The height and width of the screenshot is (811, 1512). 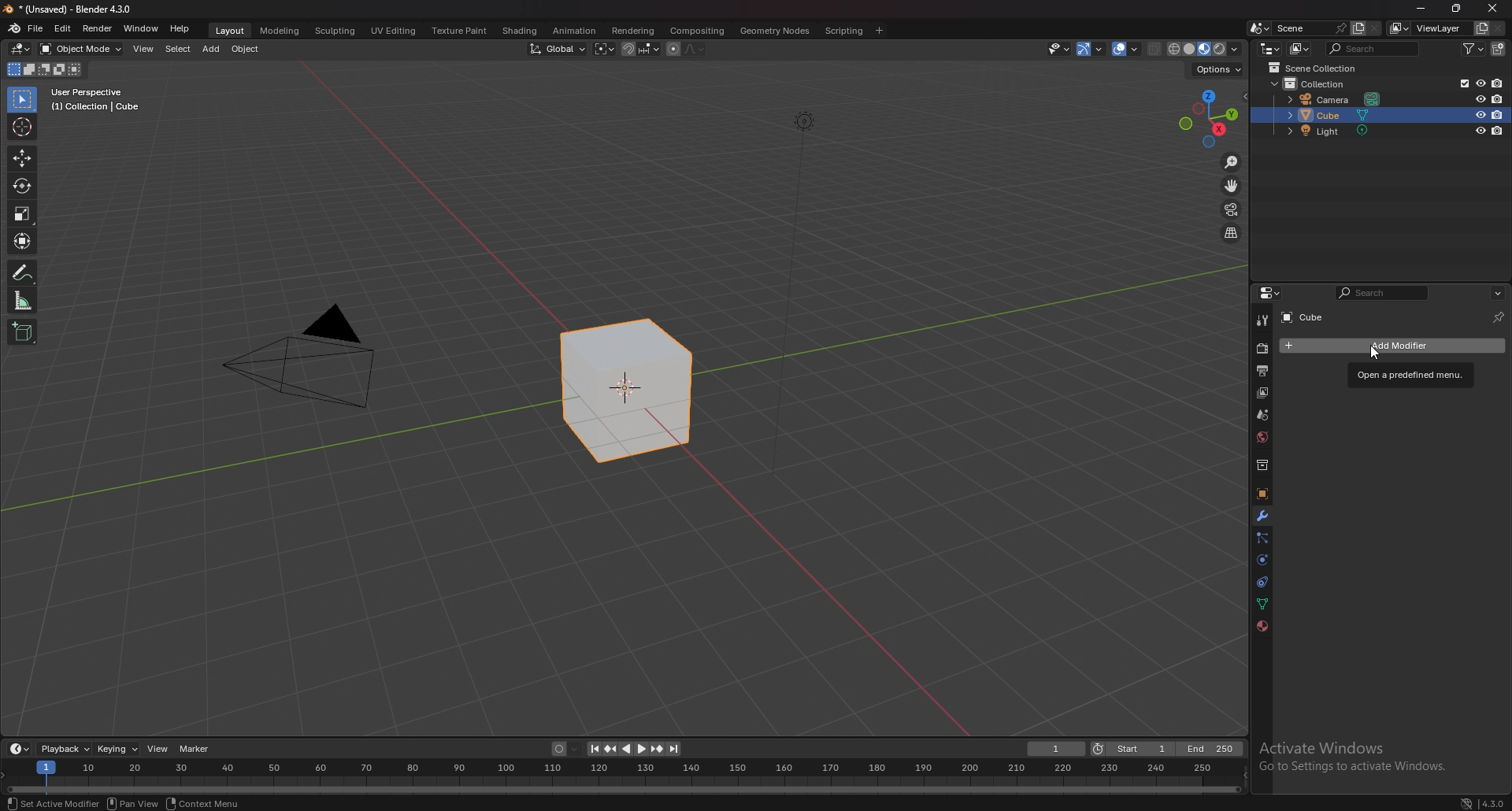 What do you see at coordinates (180, 28) in the screenshot?
I see `help` at bounding box center [180, 28].